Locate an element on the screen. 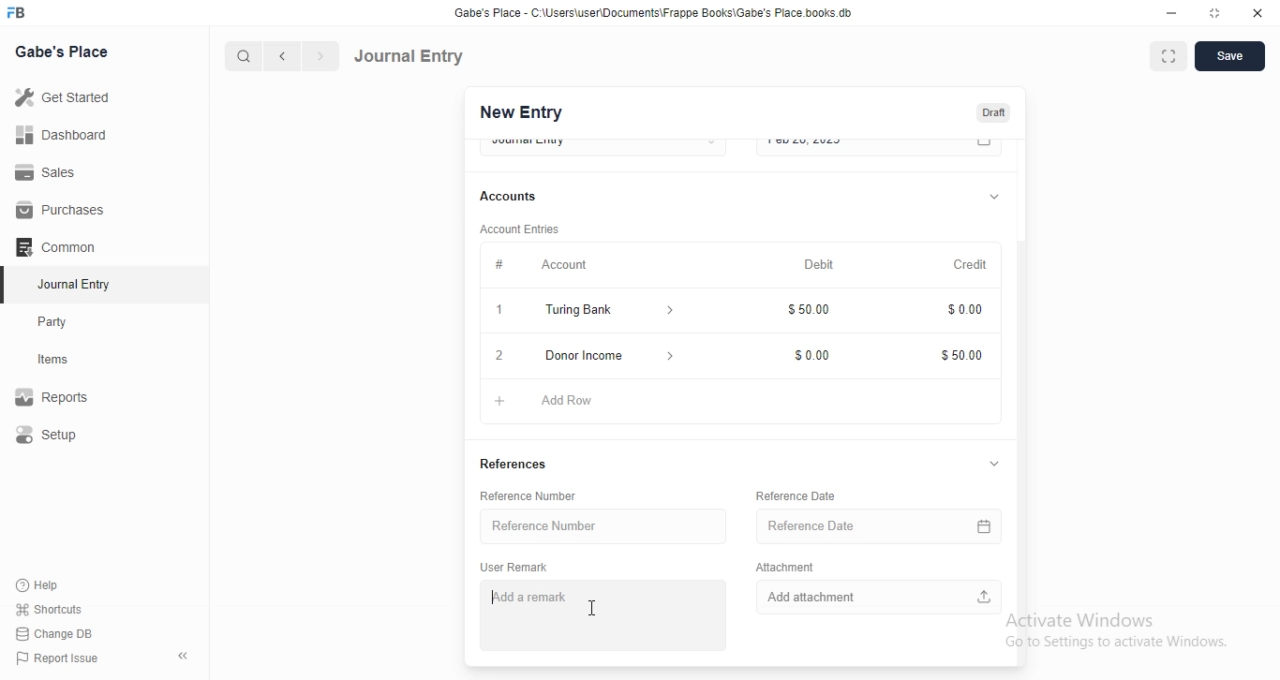 This screenshot has width=1280, height=680. New Entry is located at coordinates (519, 113).